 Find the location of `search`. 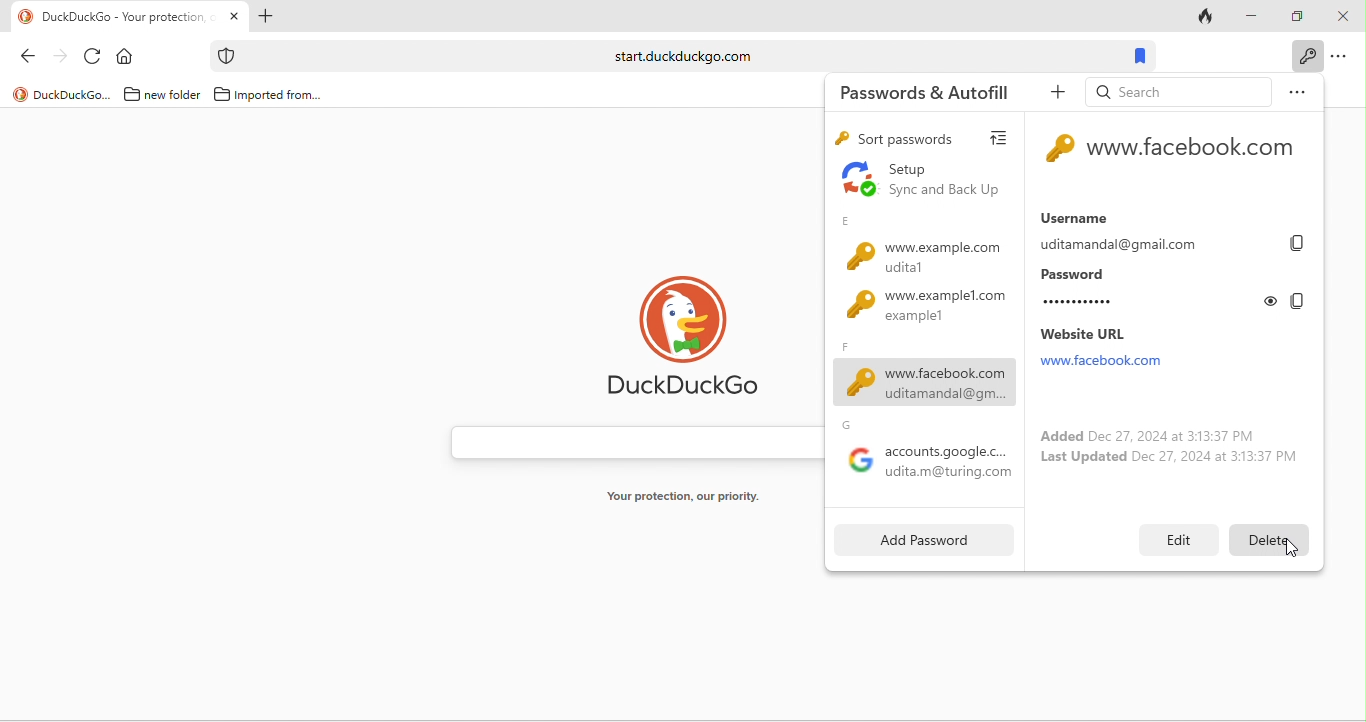

search is located at coordinates (1176, 91).